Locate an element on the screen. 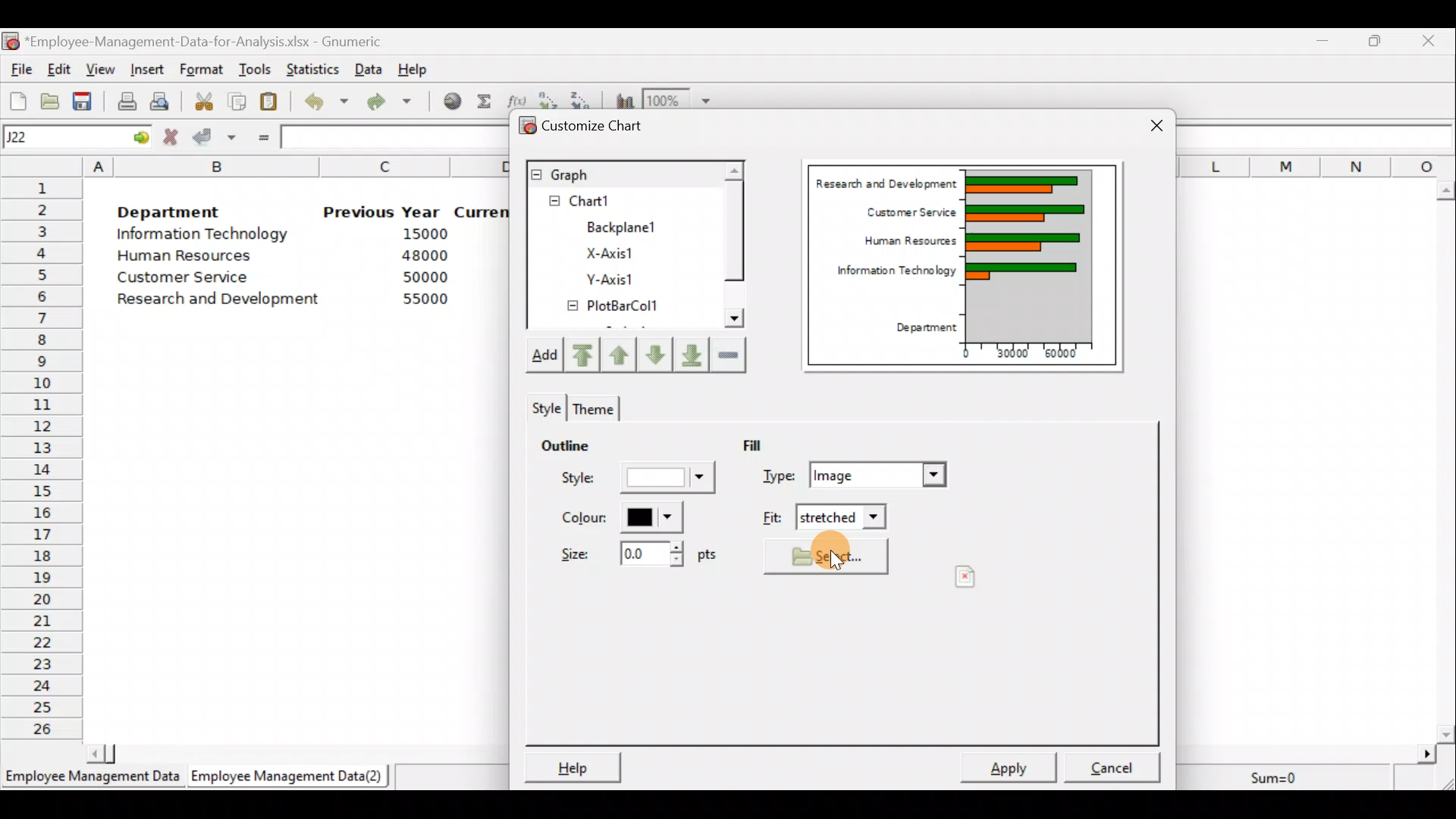  Accept change is located at coordinates (214, 139).